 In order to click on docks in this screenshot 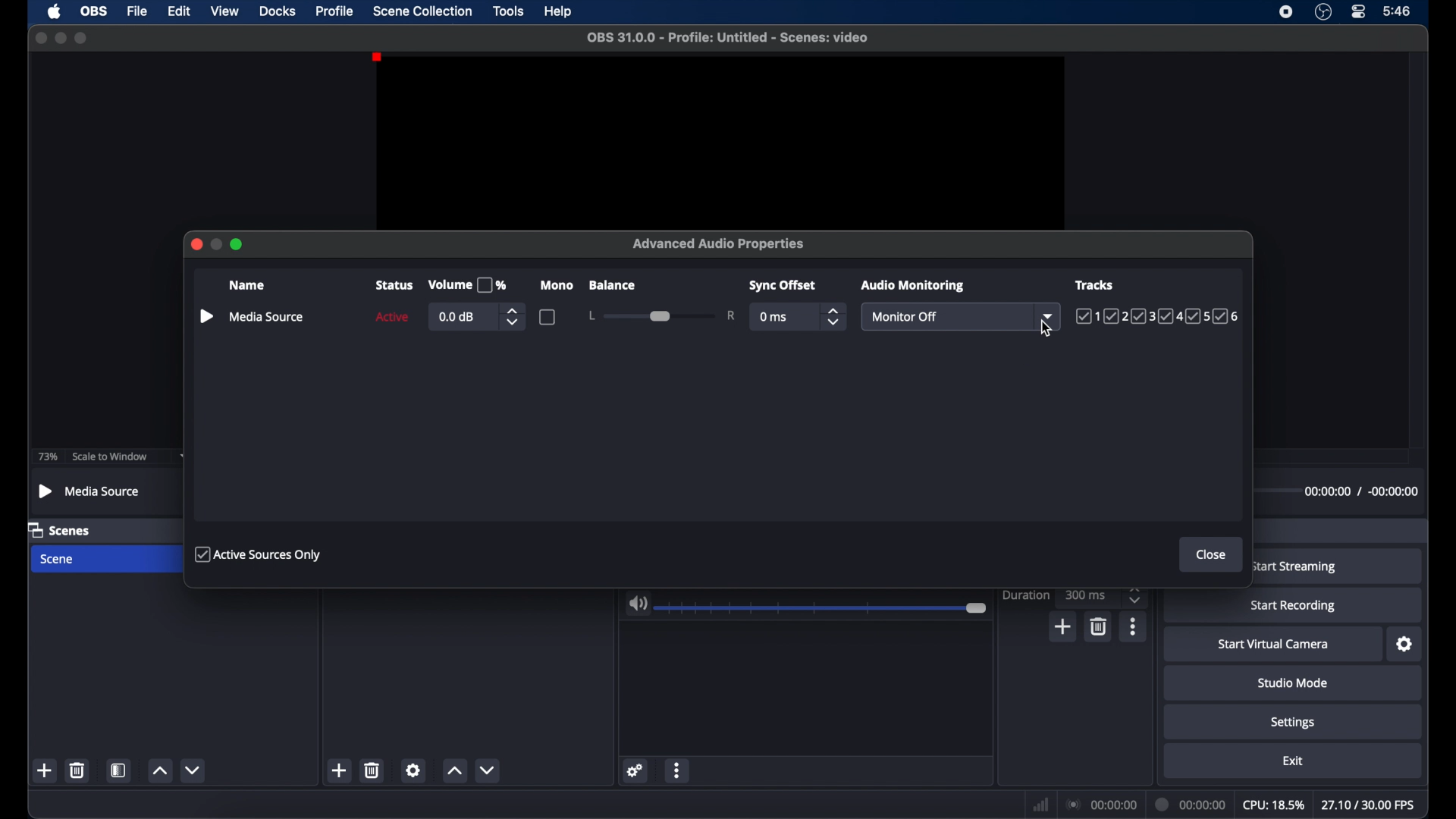, I will do `click(278, 11)`.